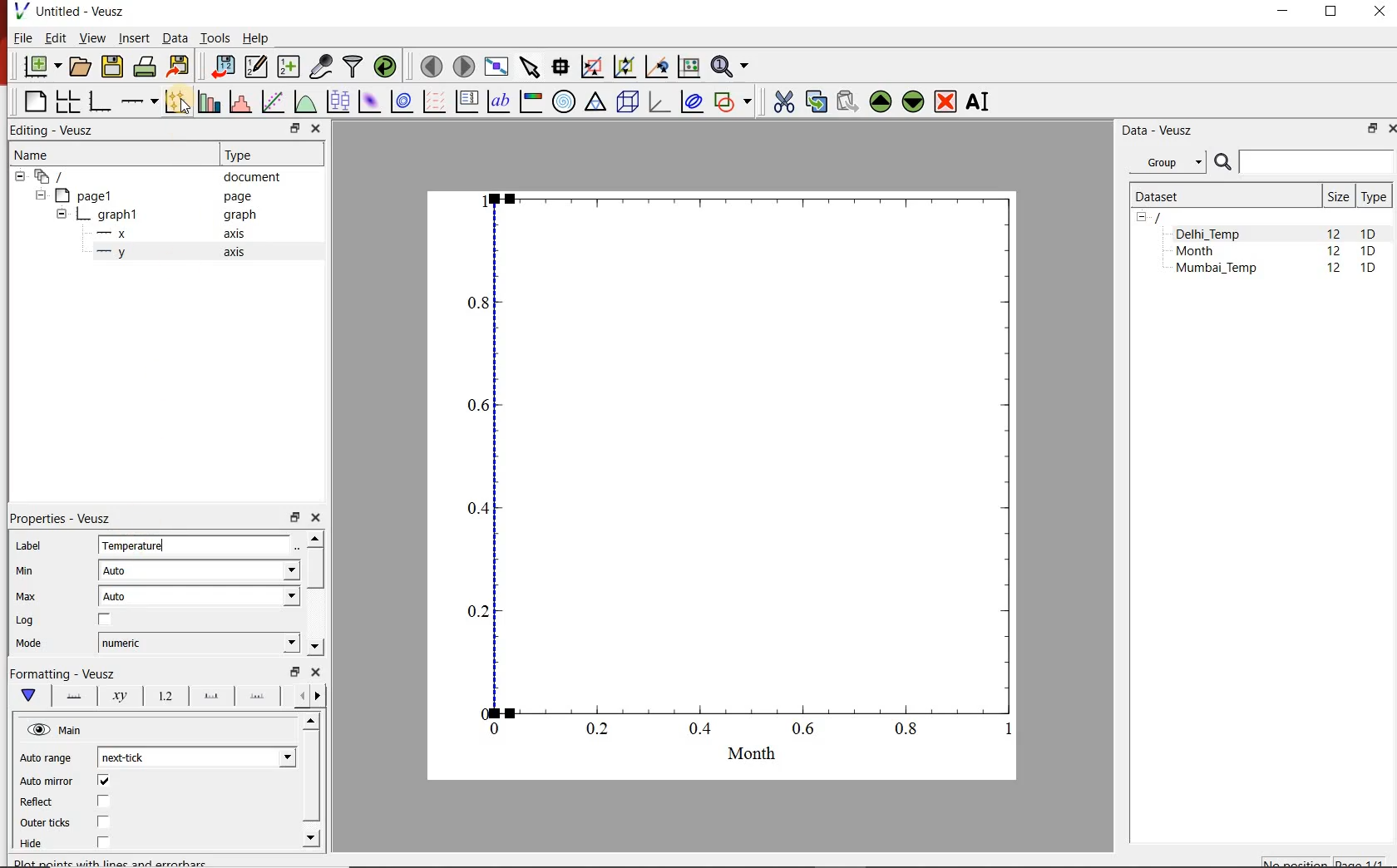 This screenshot has width=1397, height=868. Describe the element at coordinates (322, 67) in the screenshot. I see `capture remote data` at that location.